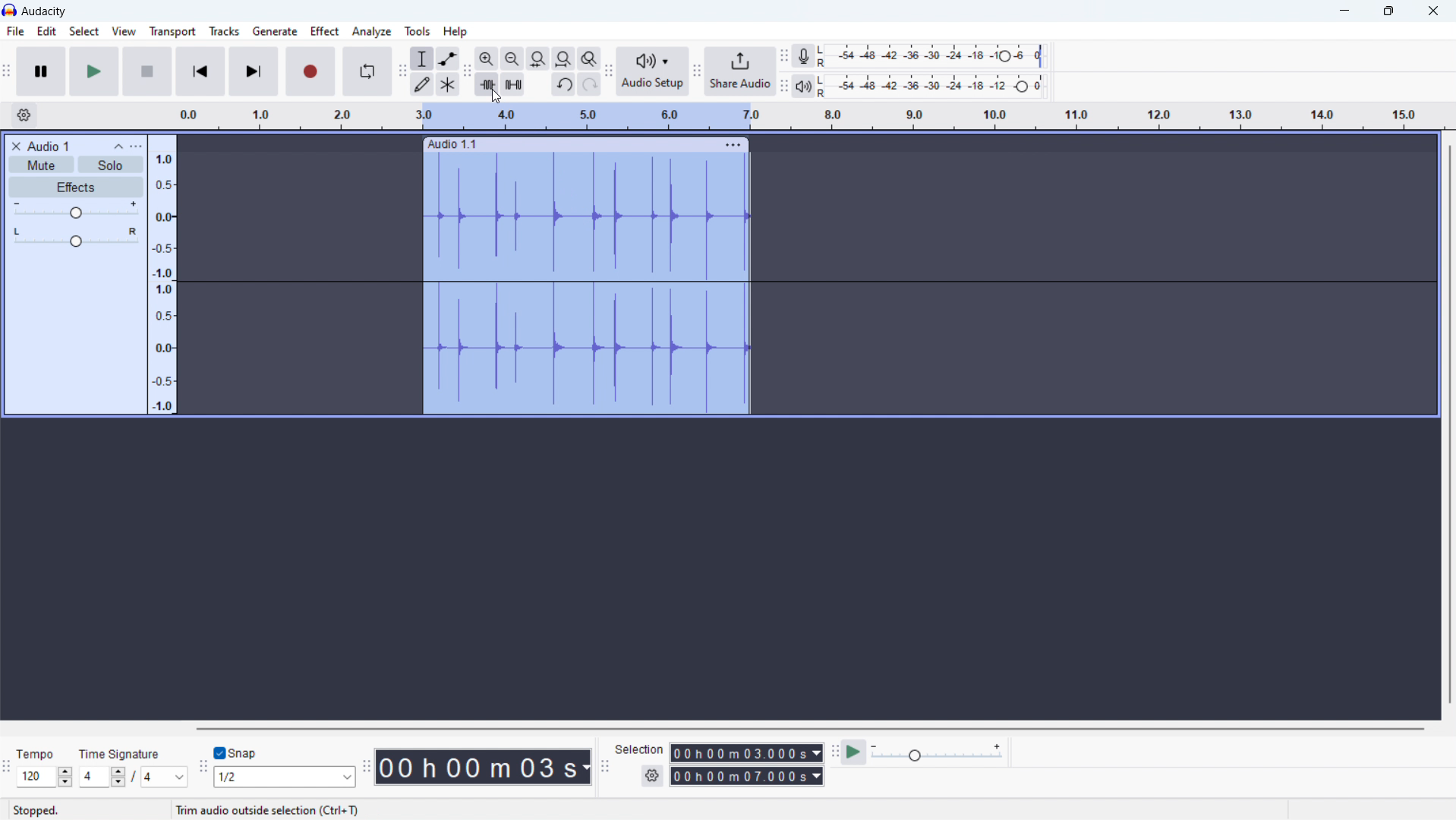  Describe the element at coordinates (16, 147) in the screenshot. I see `delete audio` at that location.